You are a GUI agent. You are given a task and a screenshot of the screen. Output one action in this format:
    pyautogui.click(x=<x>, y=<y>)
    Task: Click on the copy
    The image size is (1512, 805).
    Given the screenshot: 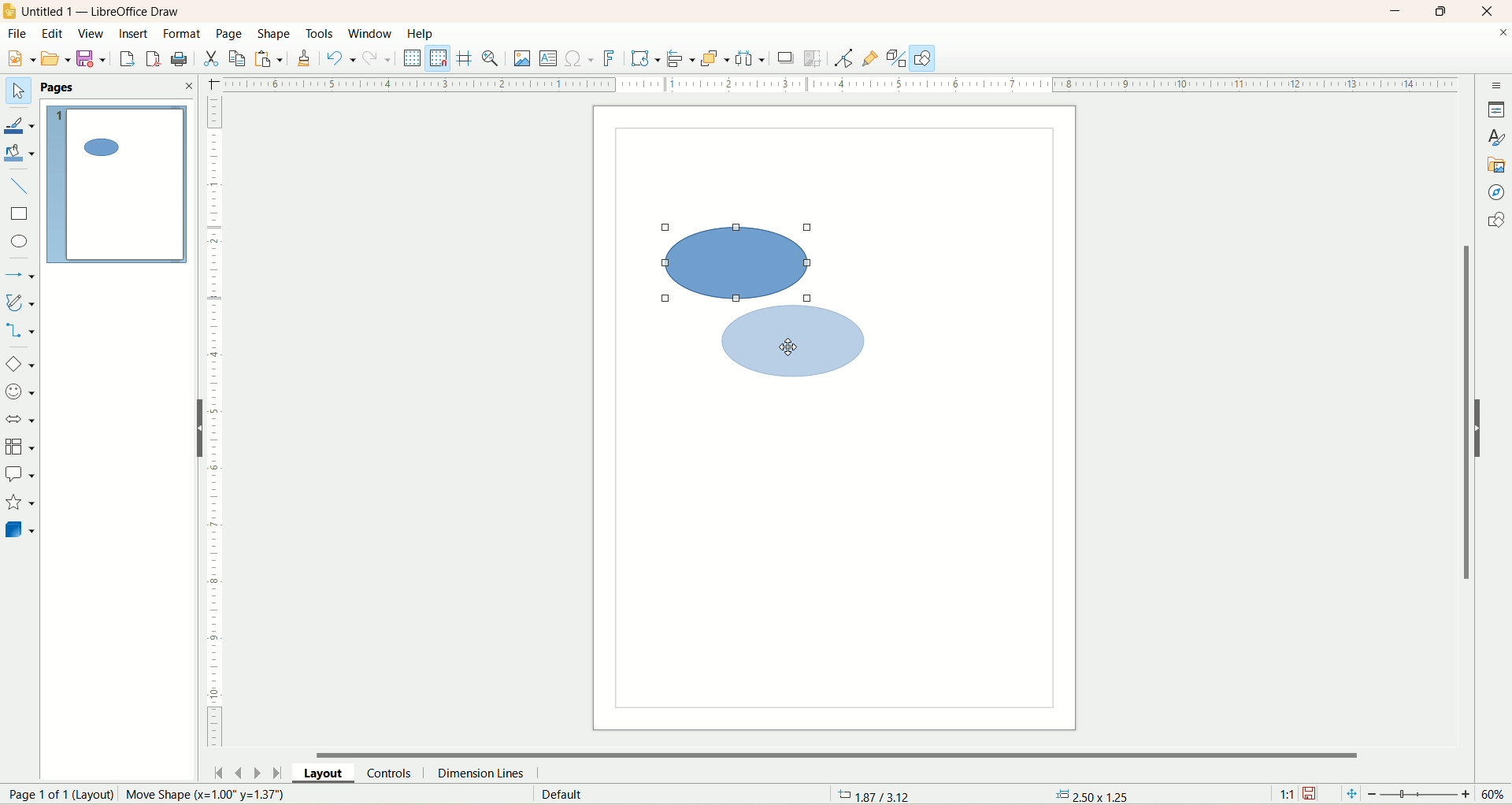 What is the action you would take?
    pyautogui.click(x=239, y=58)
    